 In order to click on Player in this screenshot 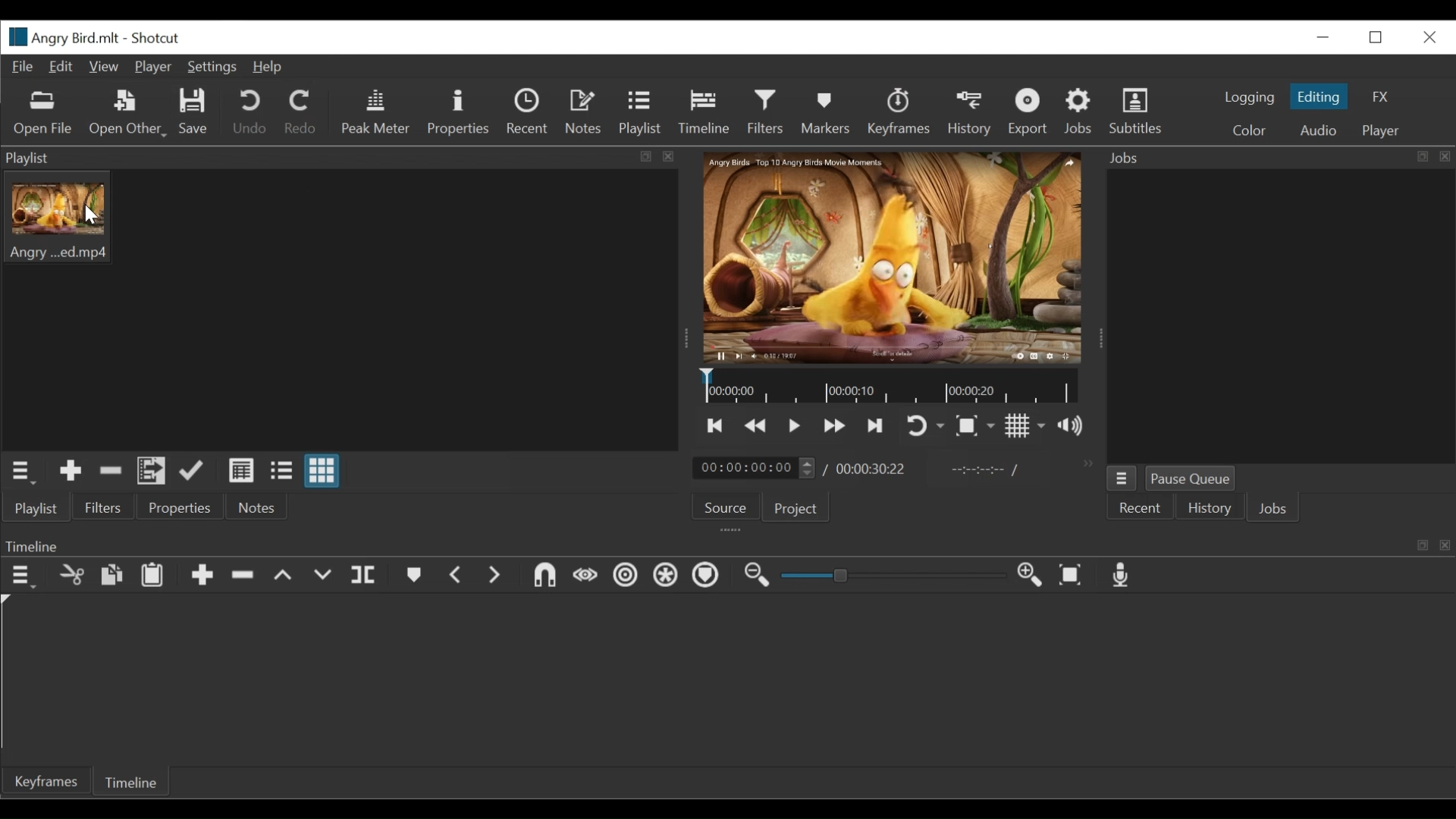, I will do `click(1384, 129)`.